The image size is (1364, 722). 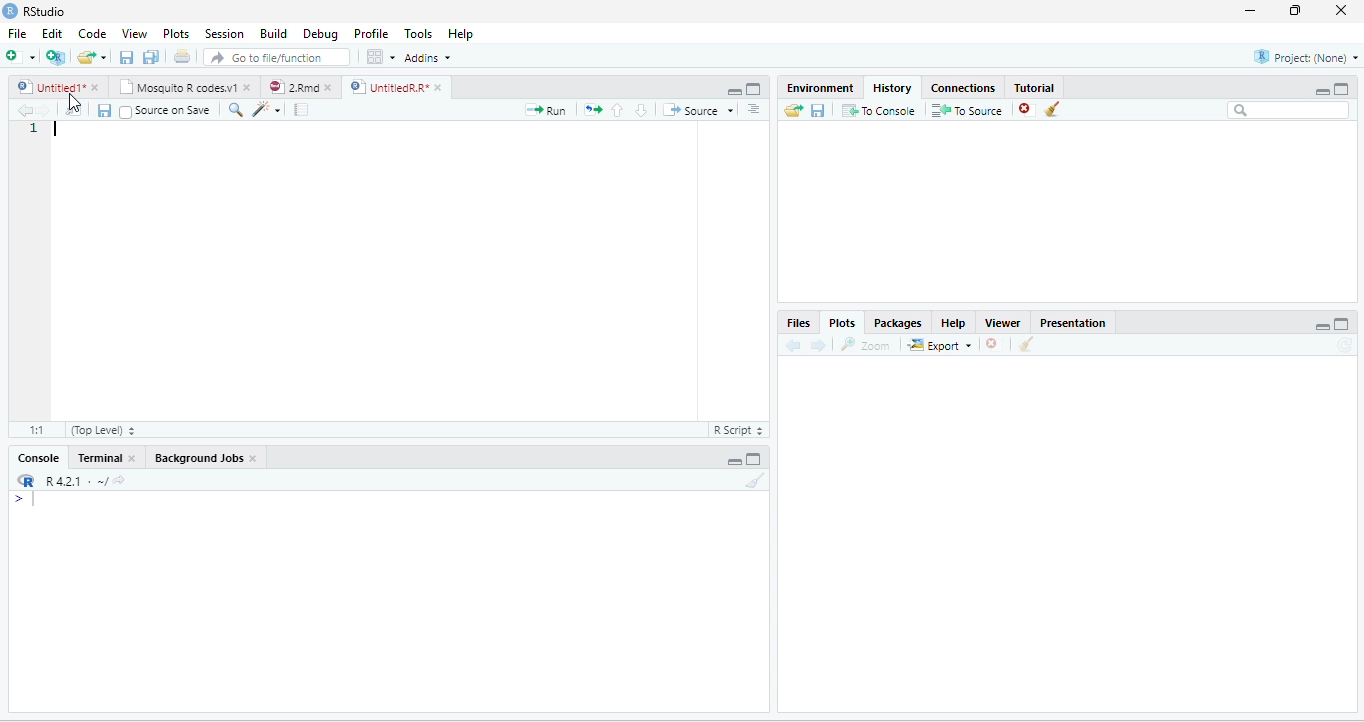 I want to click on Load history from an existing file, so click(x=792, y=111).